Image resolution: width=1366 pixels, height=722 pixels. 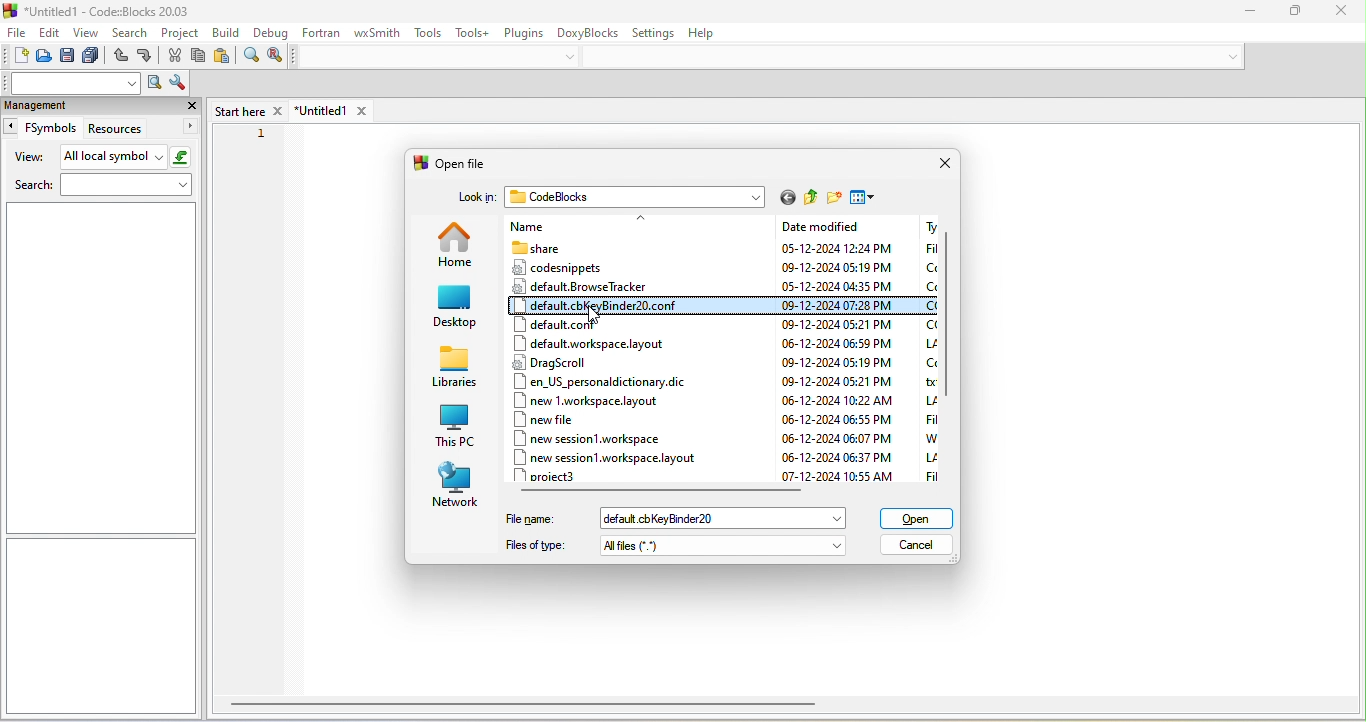 I want to click on horizontal bar, so click(x=528, y=704).